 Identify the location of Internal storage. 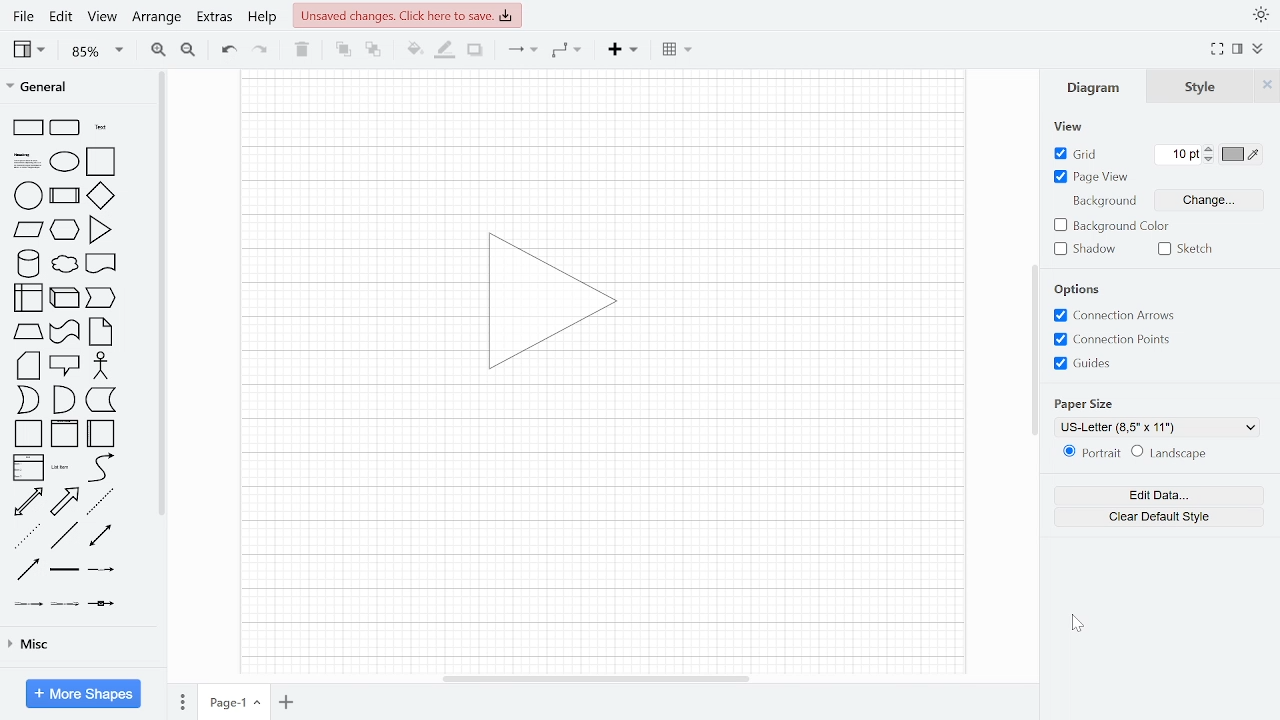
(28, 298).